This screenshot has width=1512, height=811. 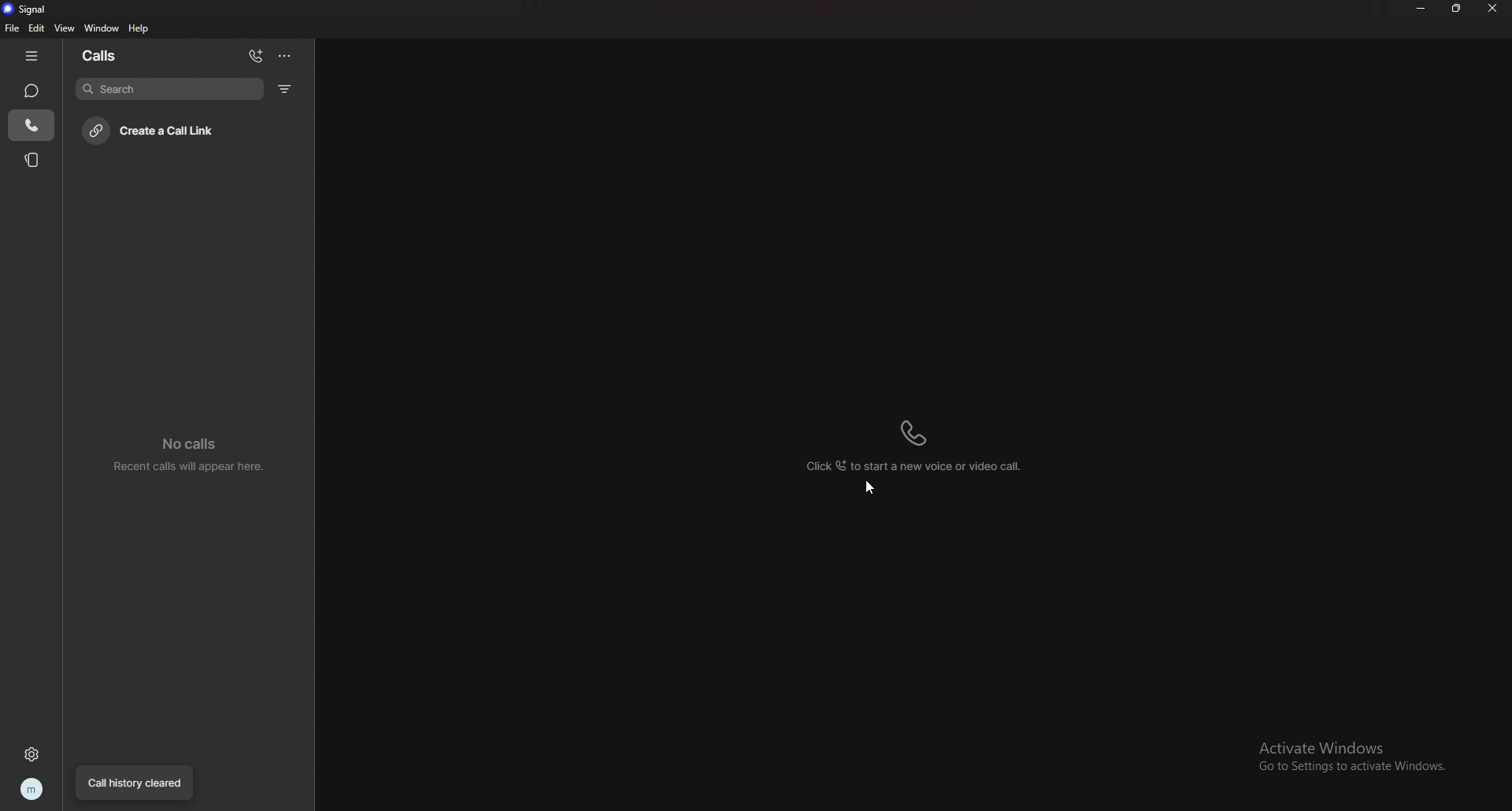 I want to click on calls, so click(x=121, y=55).